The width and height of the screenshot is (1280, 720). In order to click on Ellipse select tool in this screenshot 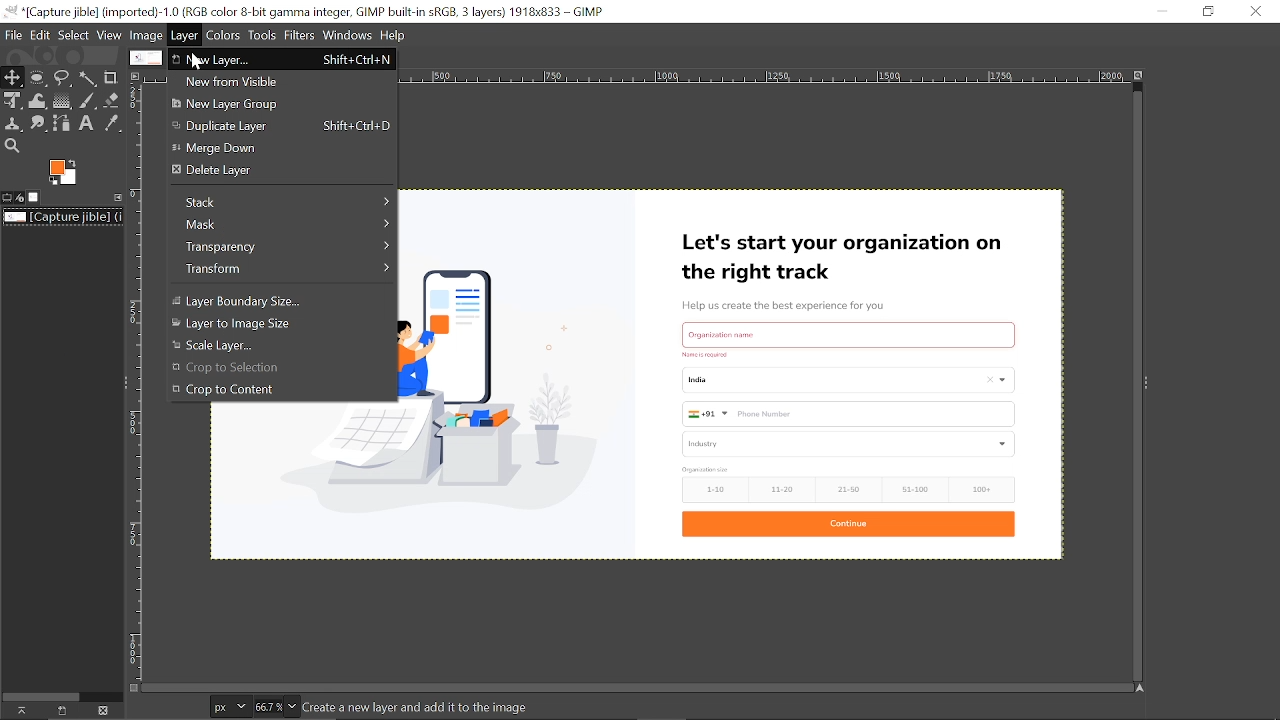, I will do `click(38, 78)`.